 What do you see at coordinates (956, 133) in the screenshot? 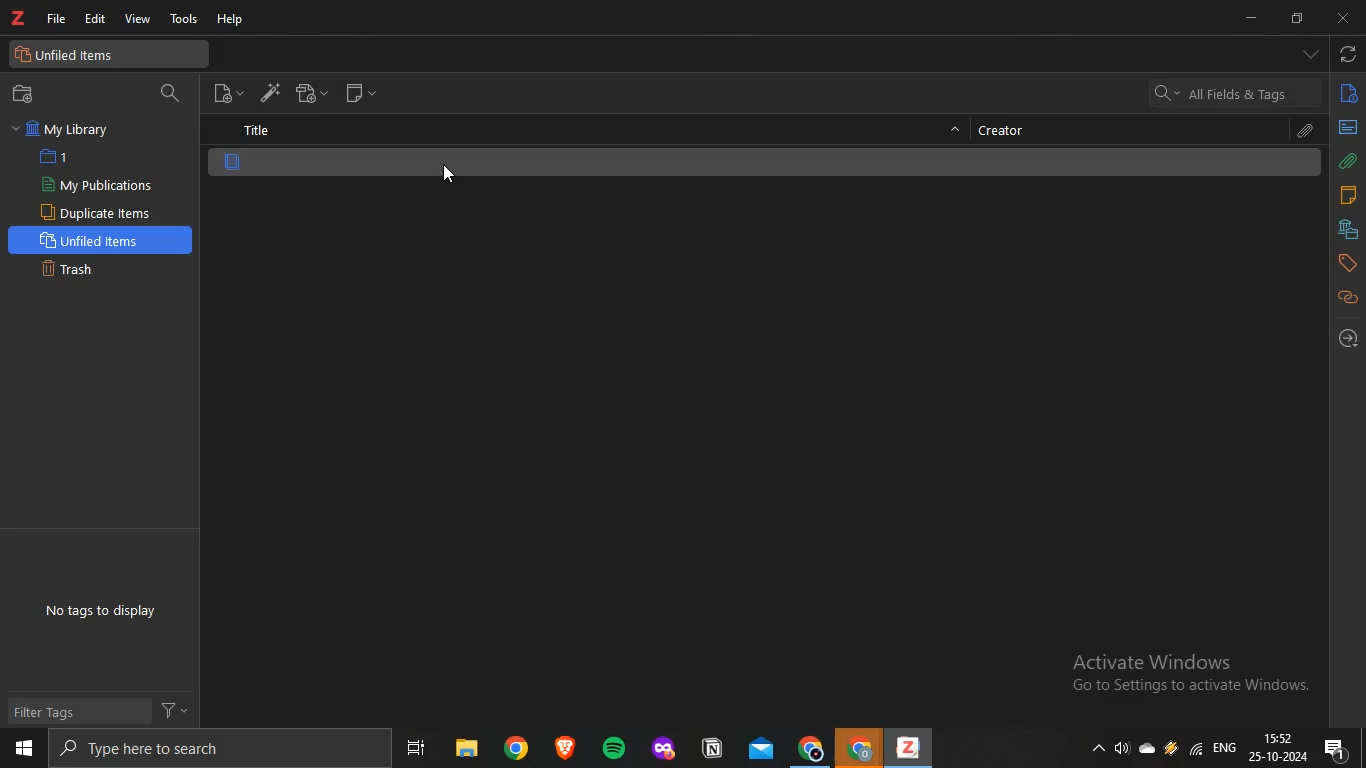
I see `hide` at bounding box center [956, 133].